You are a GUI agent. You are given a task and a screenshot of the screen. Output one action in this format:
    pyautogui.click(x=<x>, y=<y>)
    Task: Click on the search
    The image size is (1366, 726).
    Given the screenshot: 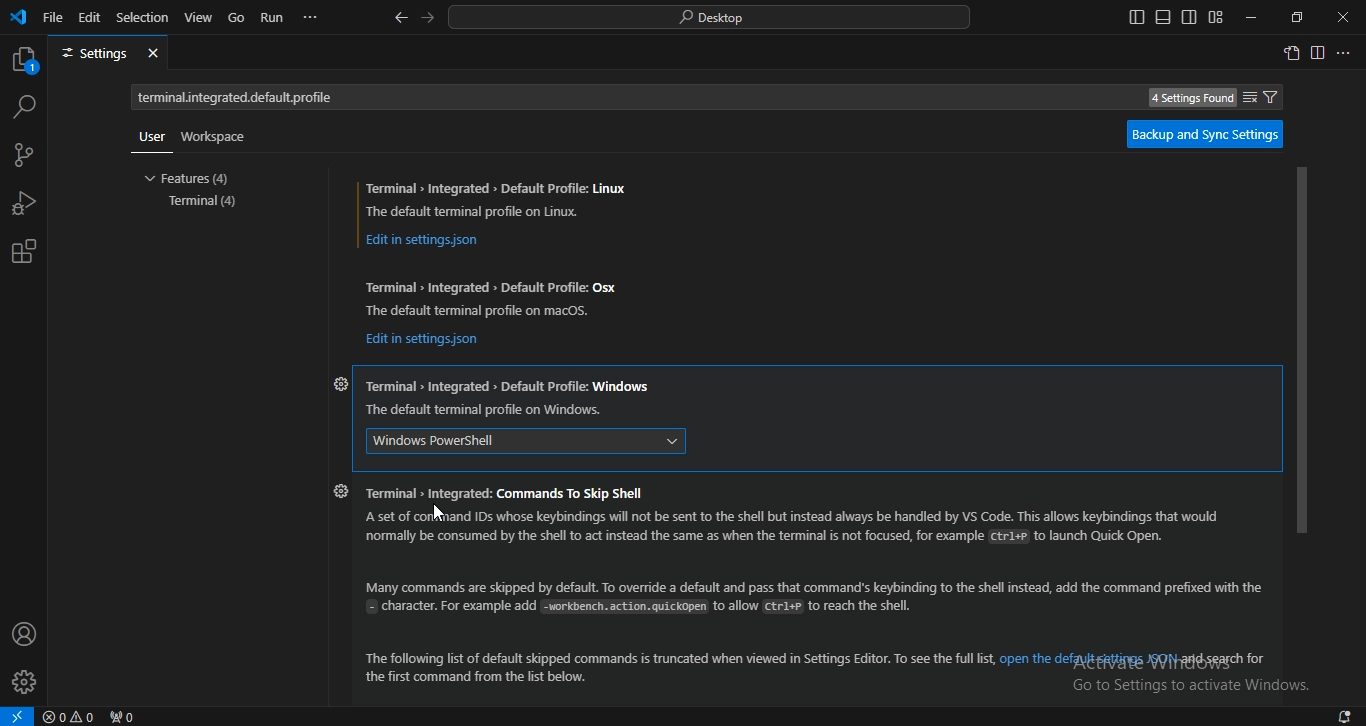 What is the action you would take?
    pyautogui.click(x=715, y=19)
    